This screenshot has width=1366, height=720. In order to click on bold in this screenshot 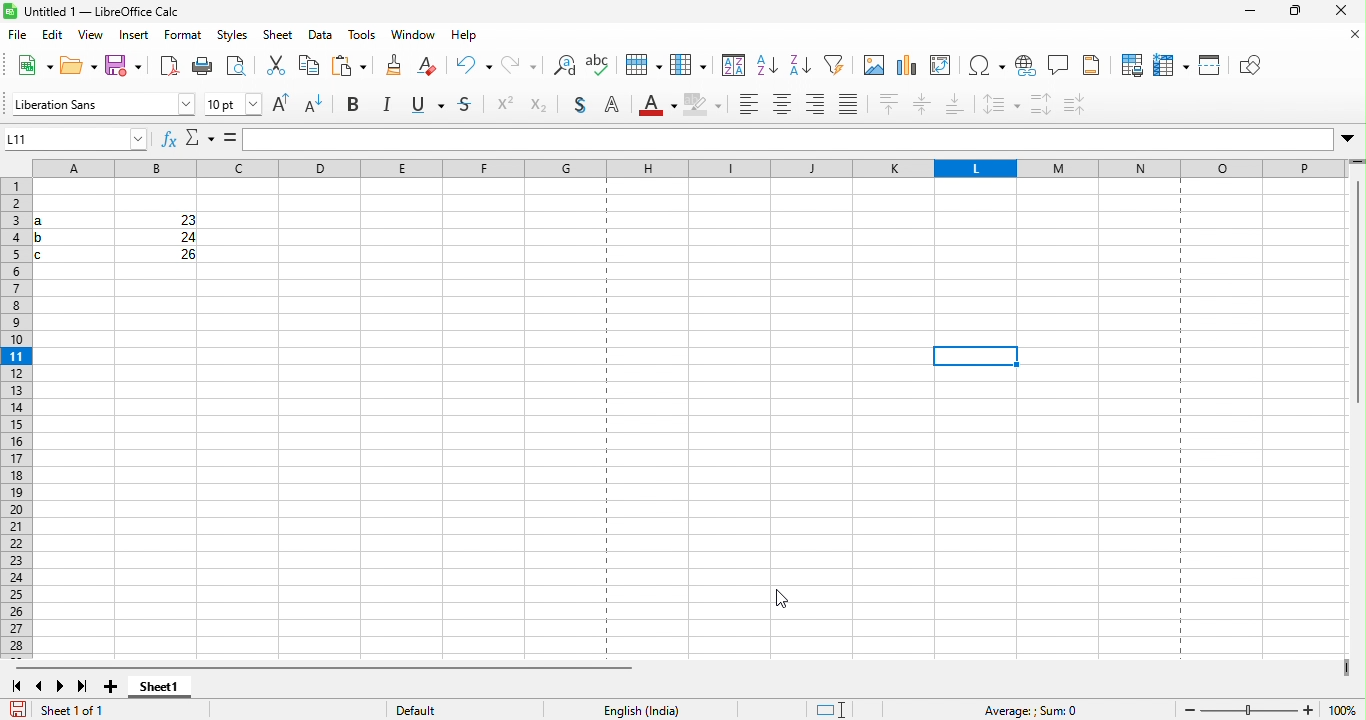, I will do `click(359, 105)`.